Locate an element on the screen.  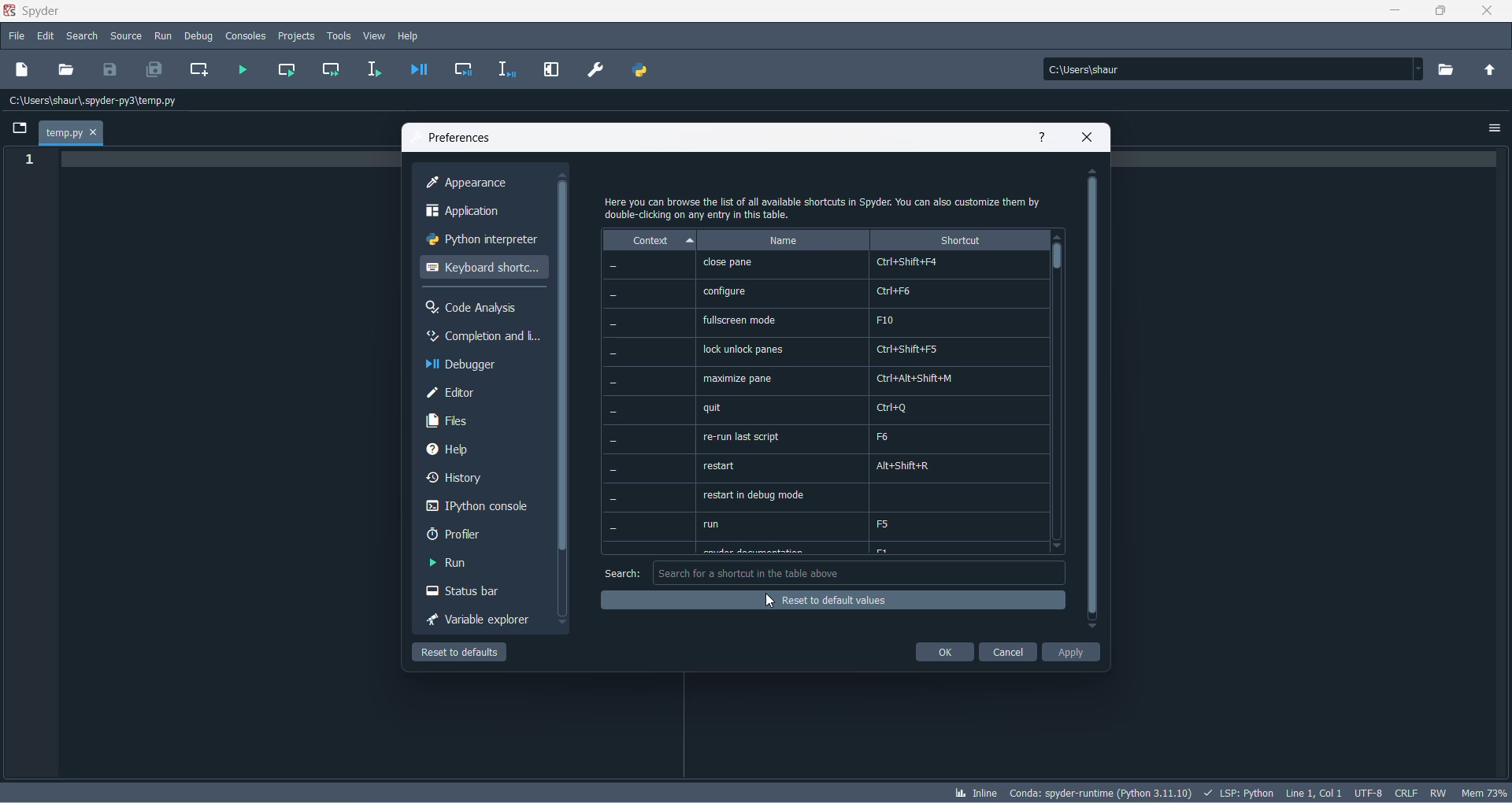
context is located at coordinates (649, 240).